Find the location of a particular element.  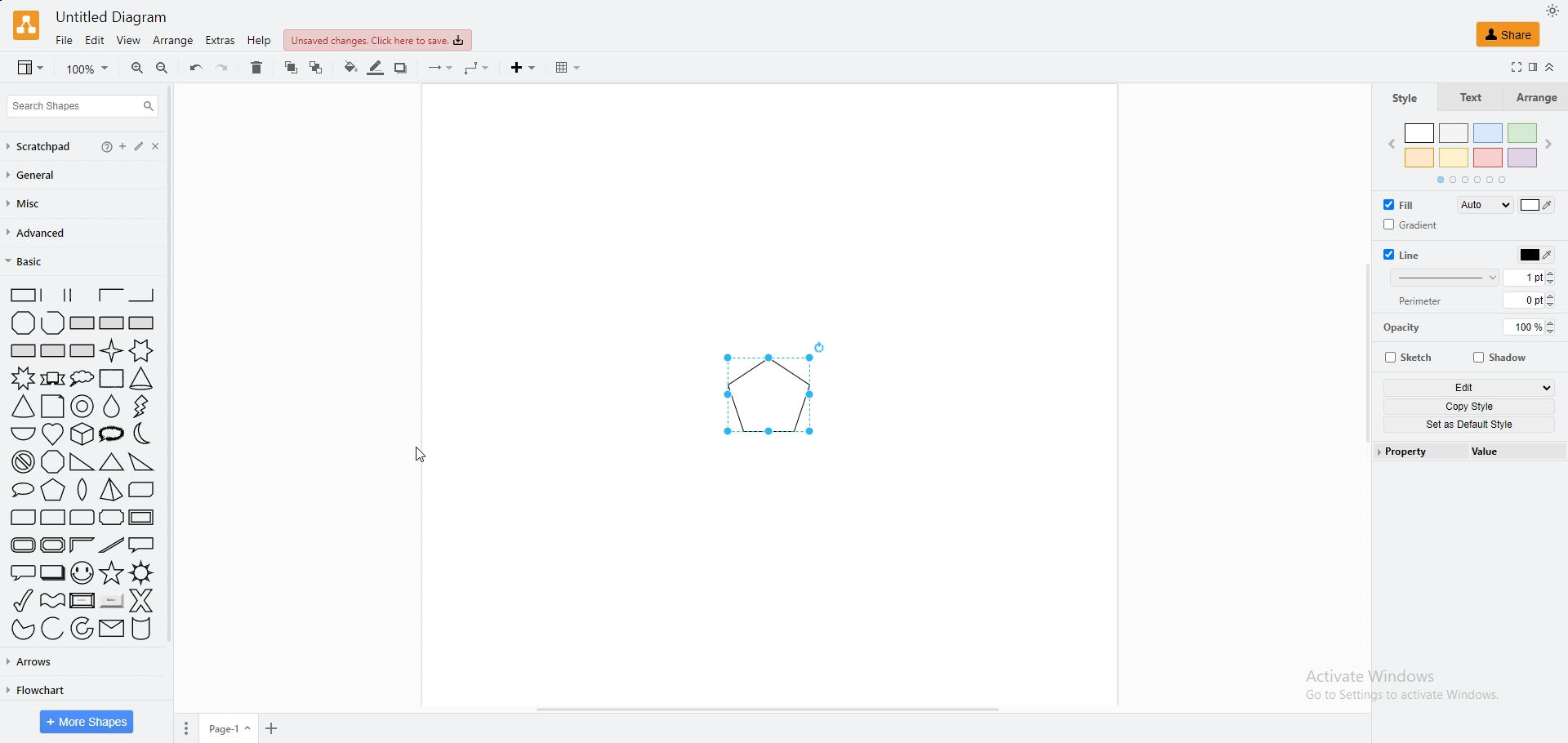

cylinder stack is located at coordinates (142, 630).